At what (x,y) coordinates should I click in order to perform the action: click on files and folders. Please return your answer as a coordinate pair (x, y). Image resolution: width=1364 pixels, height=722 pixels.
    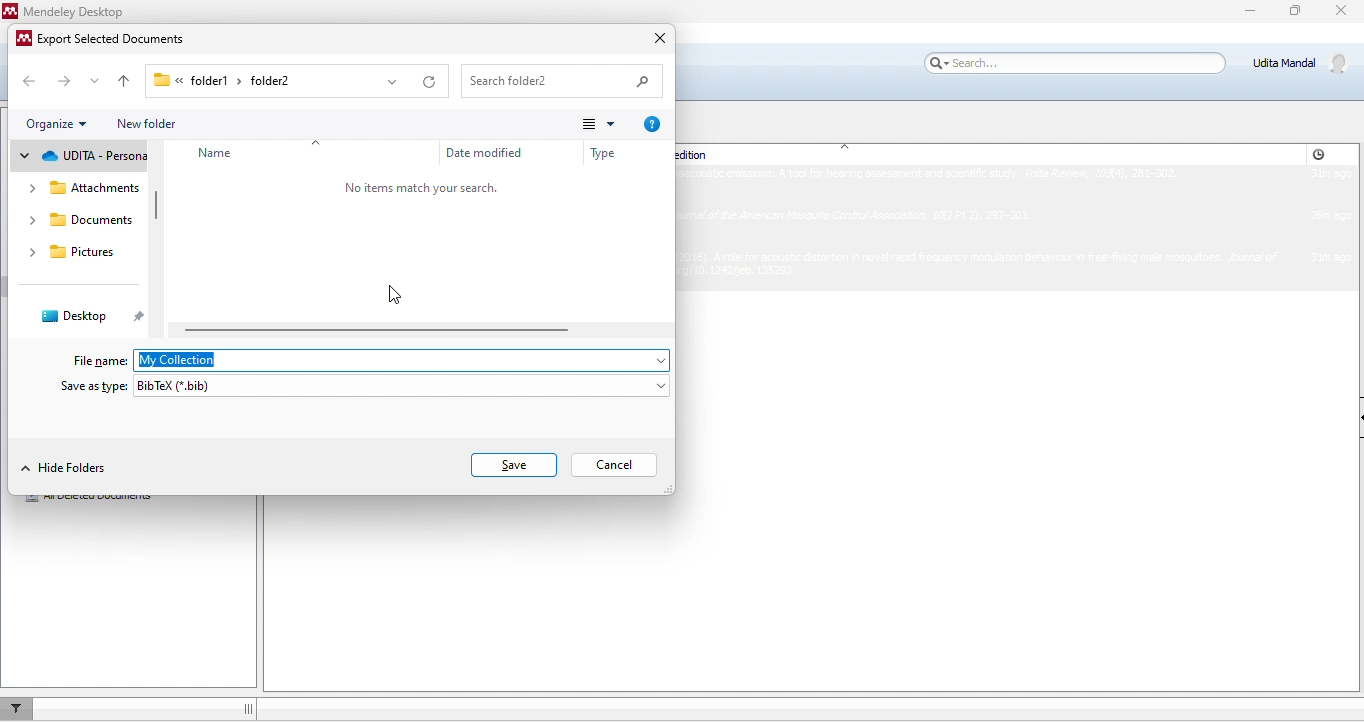
    Looking at the image, I should click on (81, 157).